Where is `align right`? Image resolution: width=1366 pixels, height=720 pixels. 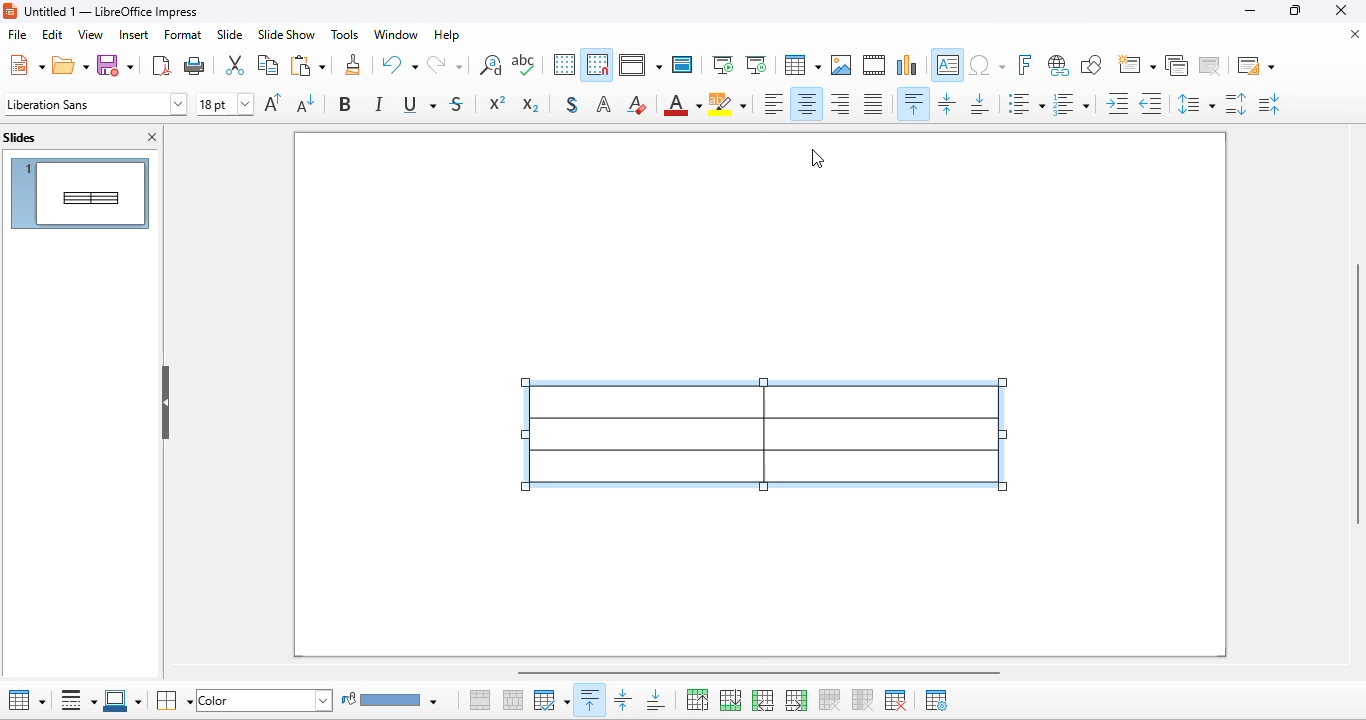
align right is located at coordinates (840, 104).